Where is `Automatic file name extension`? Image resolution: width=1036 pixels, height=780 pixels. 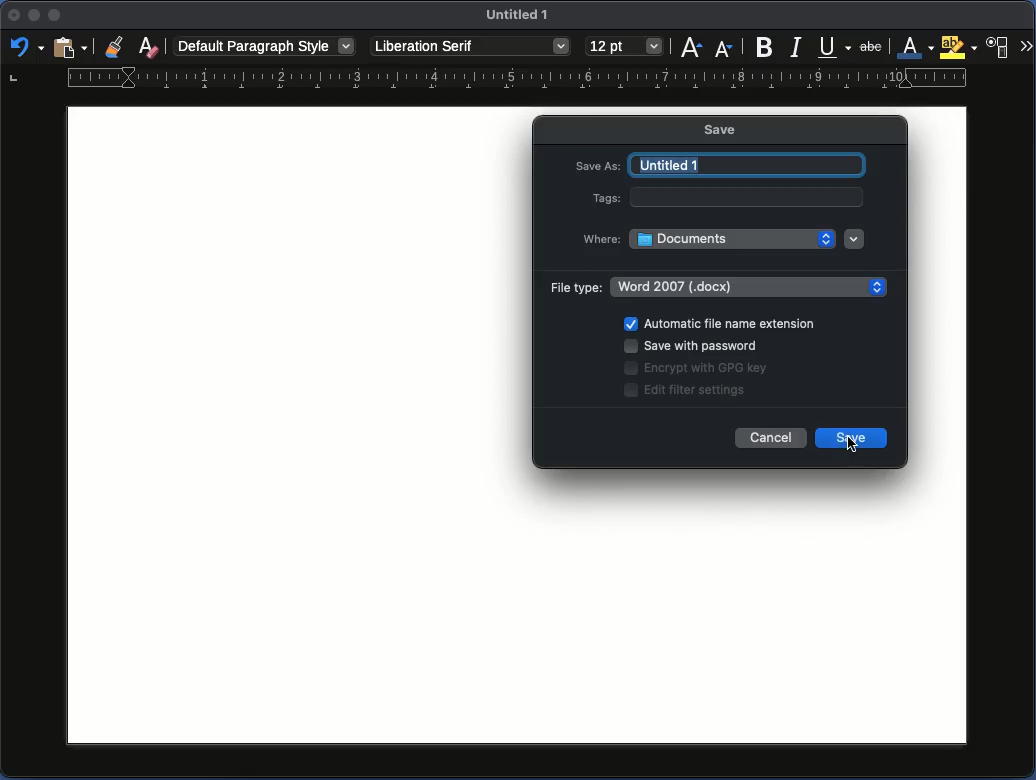
Automatic file name extension is located at coordinates (723, 322).